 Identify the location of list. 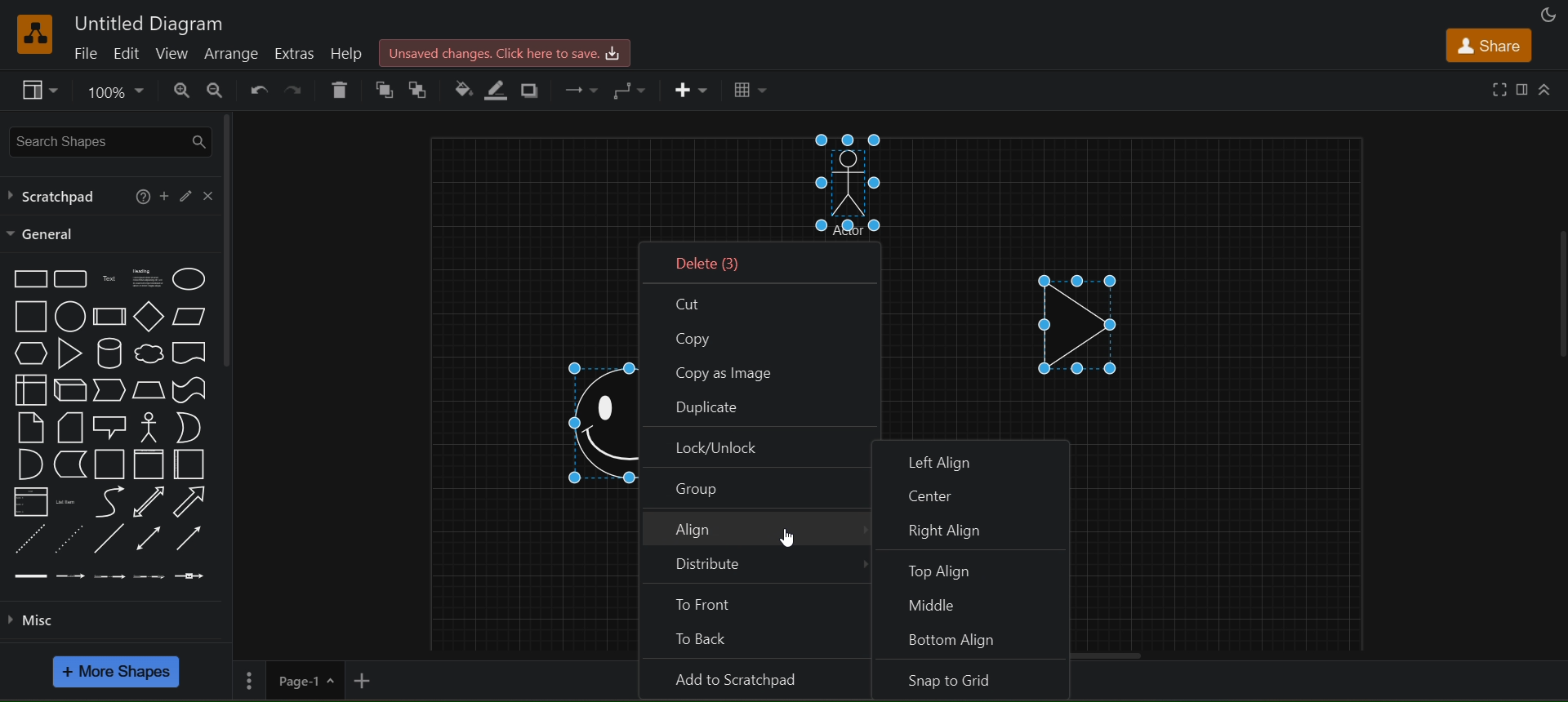
(28, 502).